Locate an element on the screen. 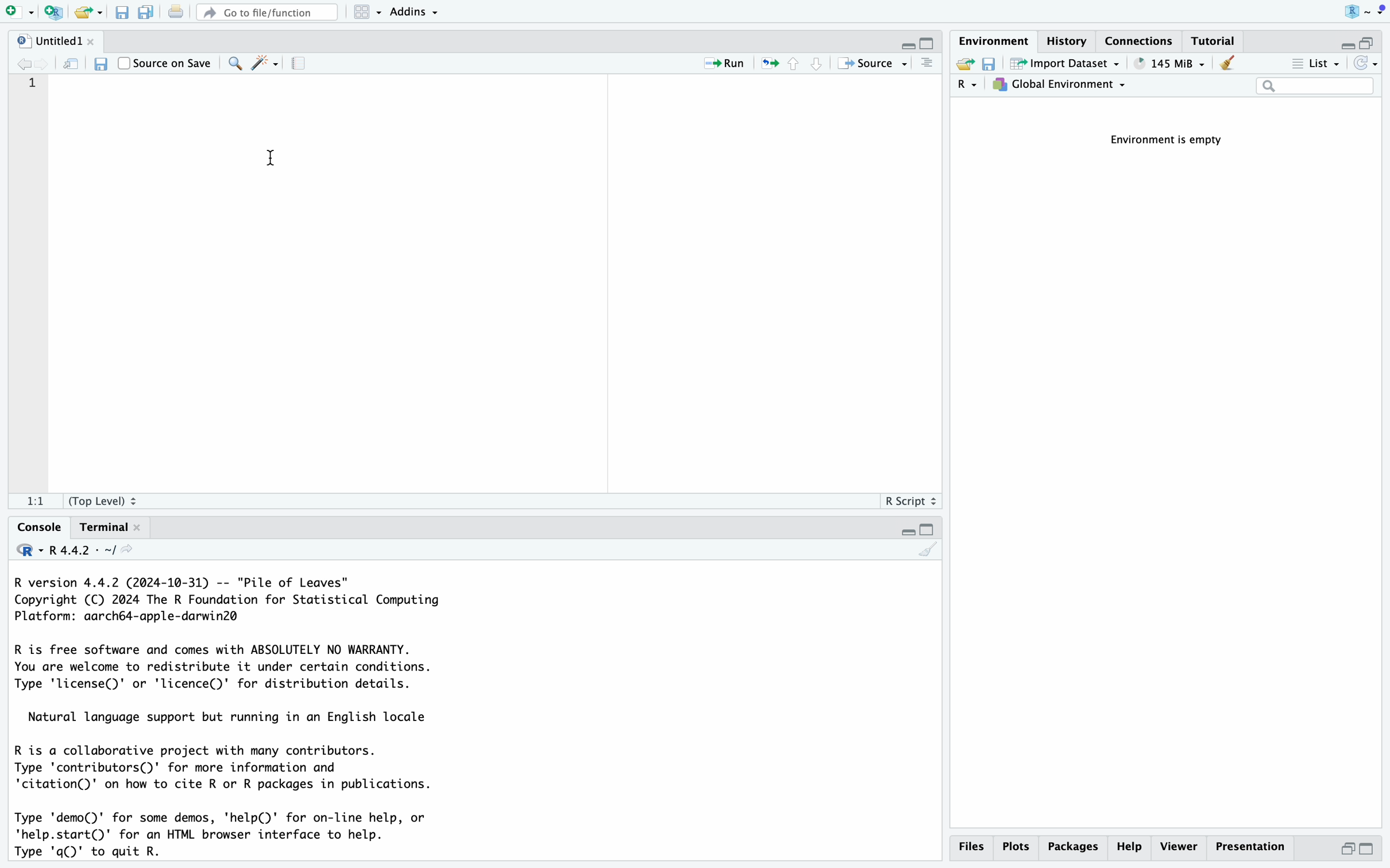  viewer is located at coordinates (1178, 847).